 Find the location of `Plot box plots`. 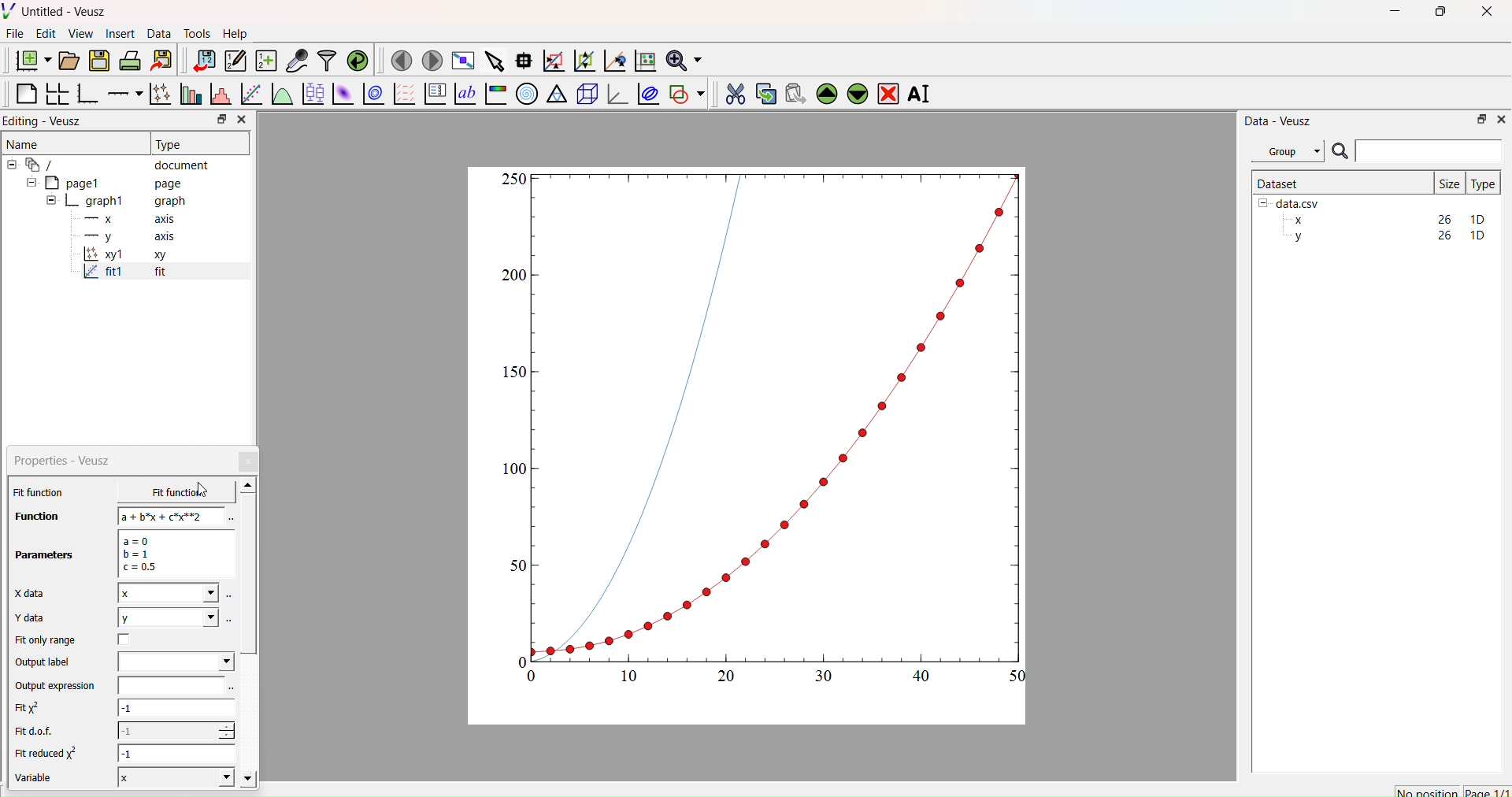

Plot box plots is located at coordinates (313, 94).